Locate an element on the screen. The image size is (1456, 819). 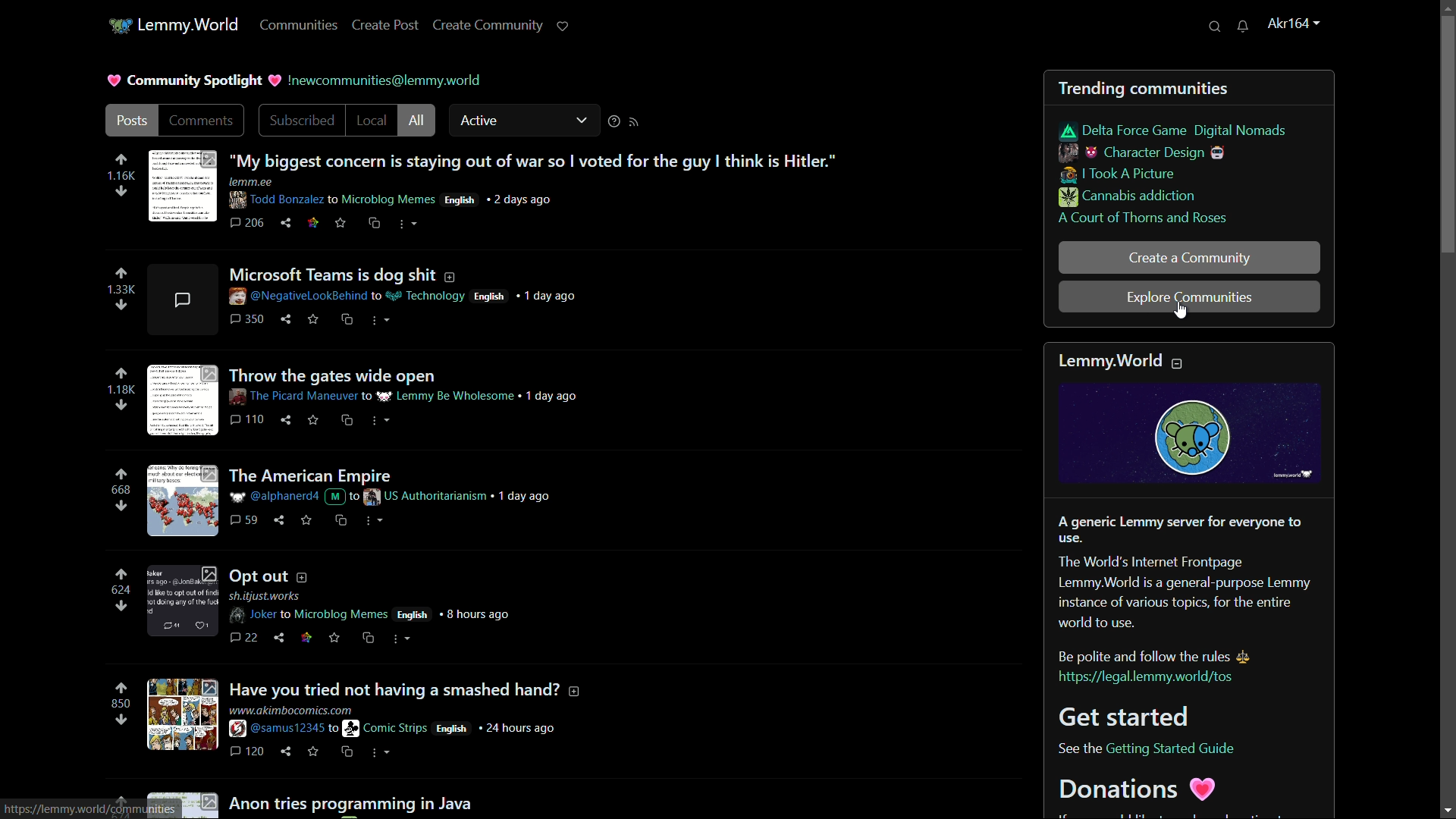
more is located at coordinates (381, 753).